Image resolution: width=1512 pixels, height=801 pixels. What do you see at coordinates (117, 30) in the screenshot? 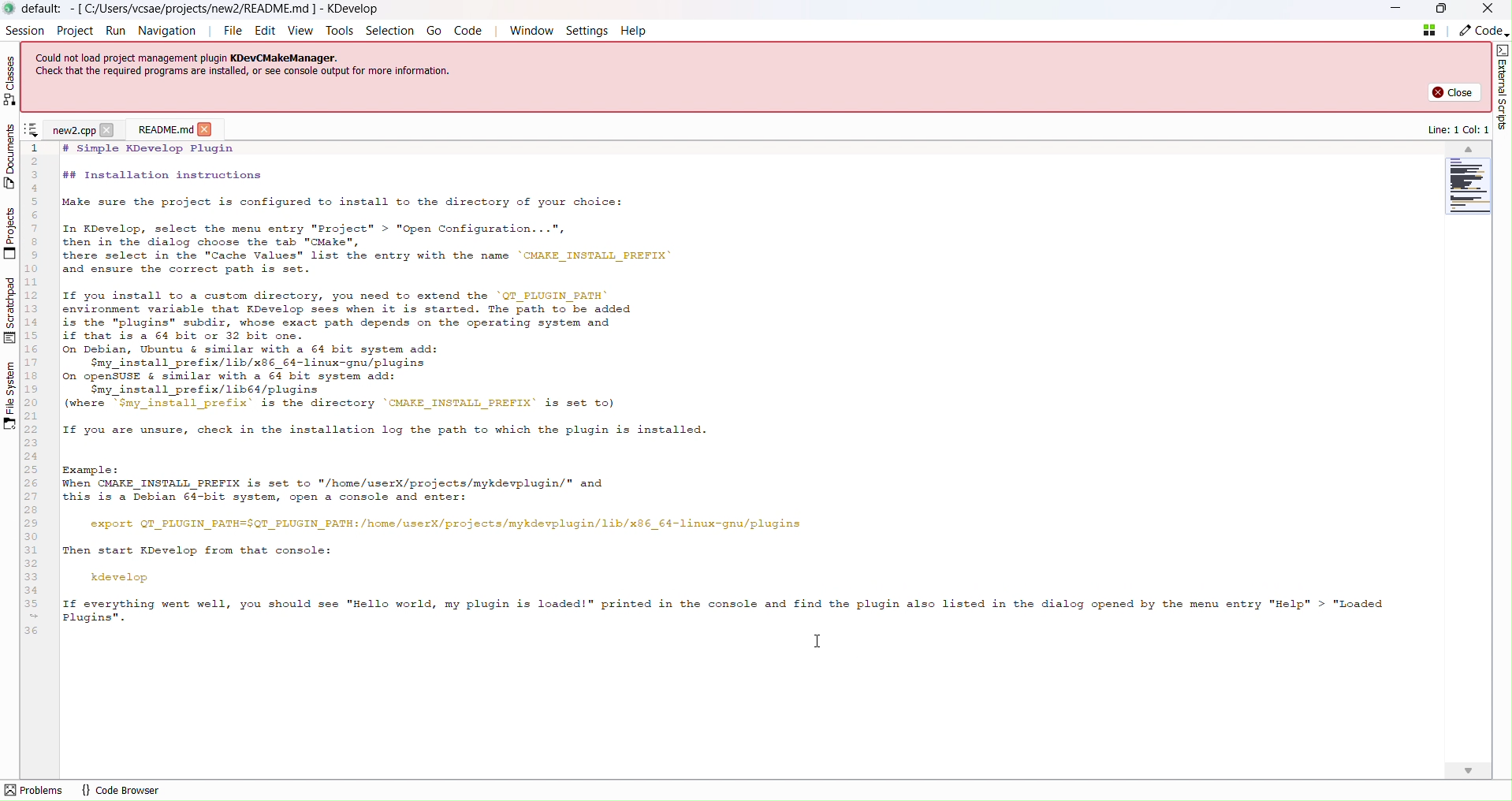
I see `Run` at bounding box center [117, 30].